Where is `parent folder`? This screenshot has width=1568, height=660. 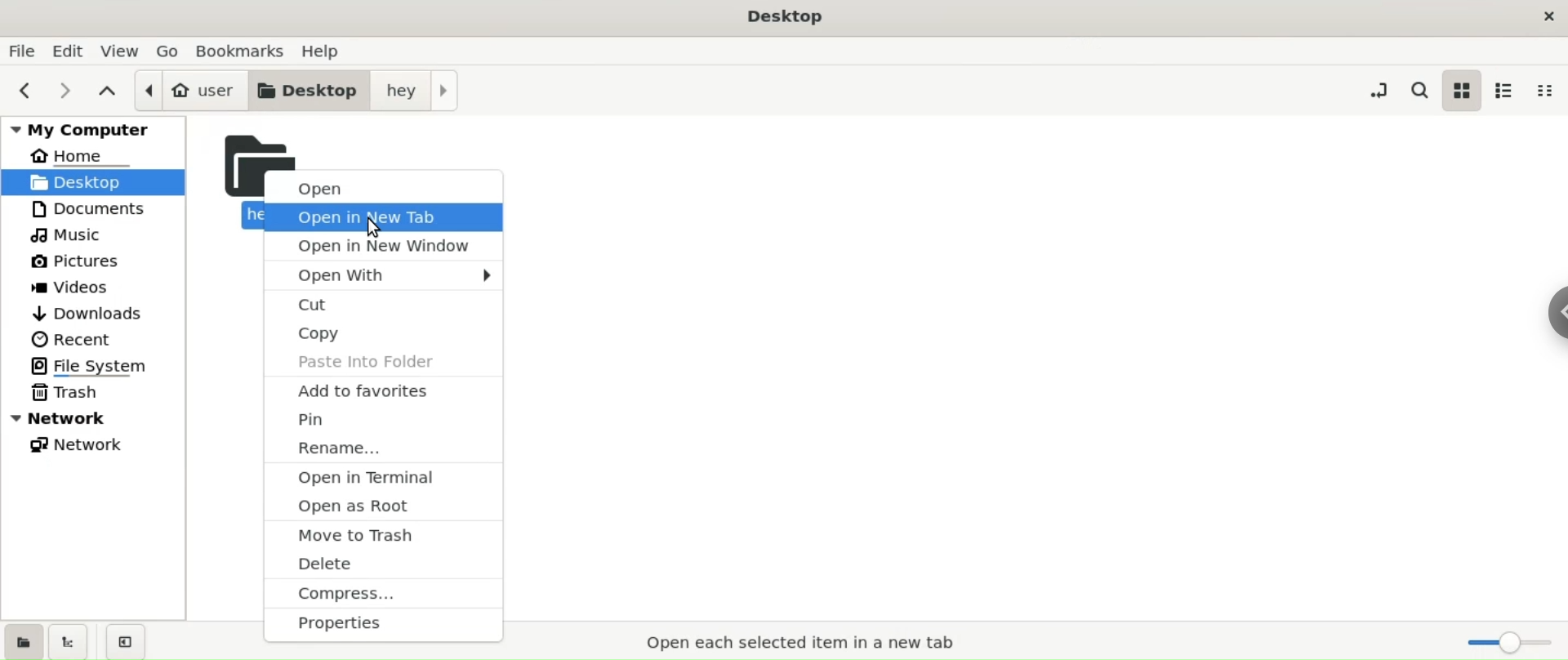
parent folder is located at coordinates (105, 91).